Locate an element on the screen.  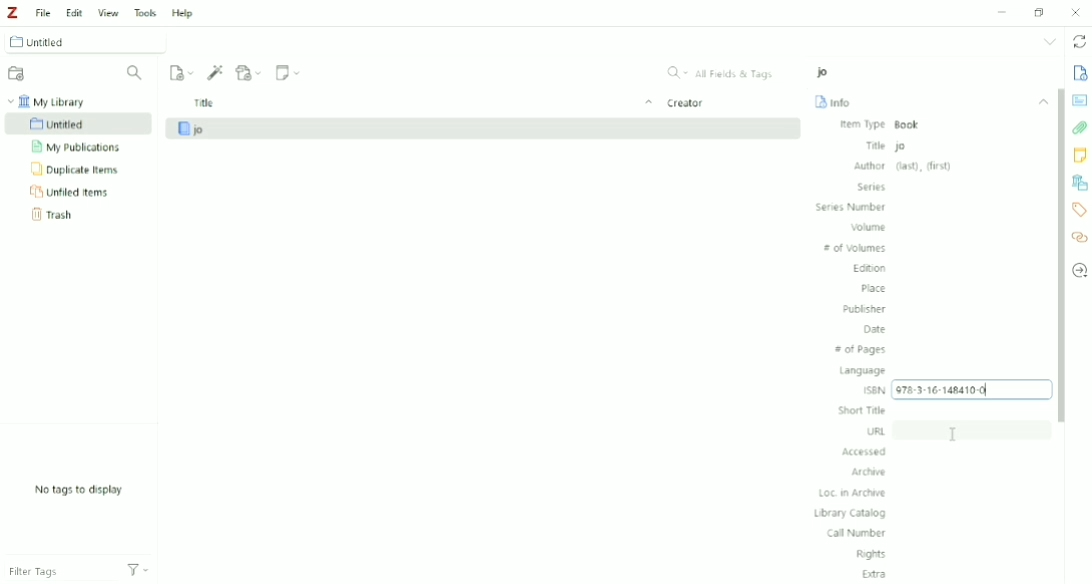
Sync is located at coordinates (1080, 41).